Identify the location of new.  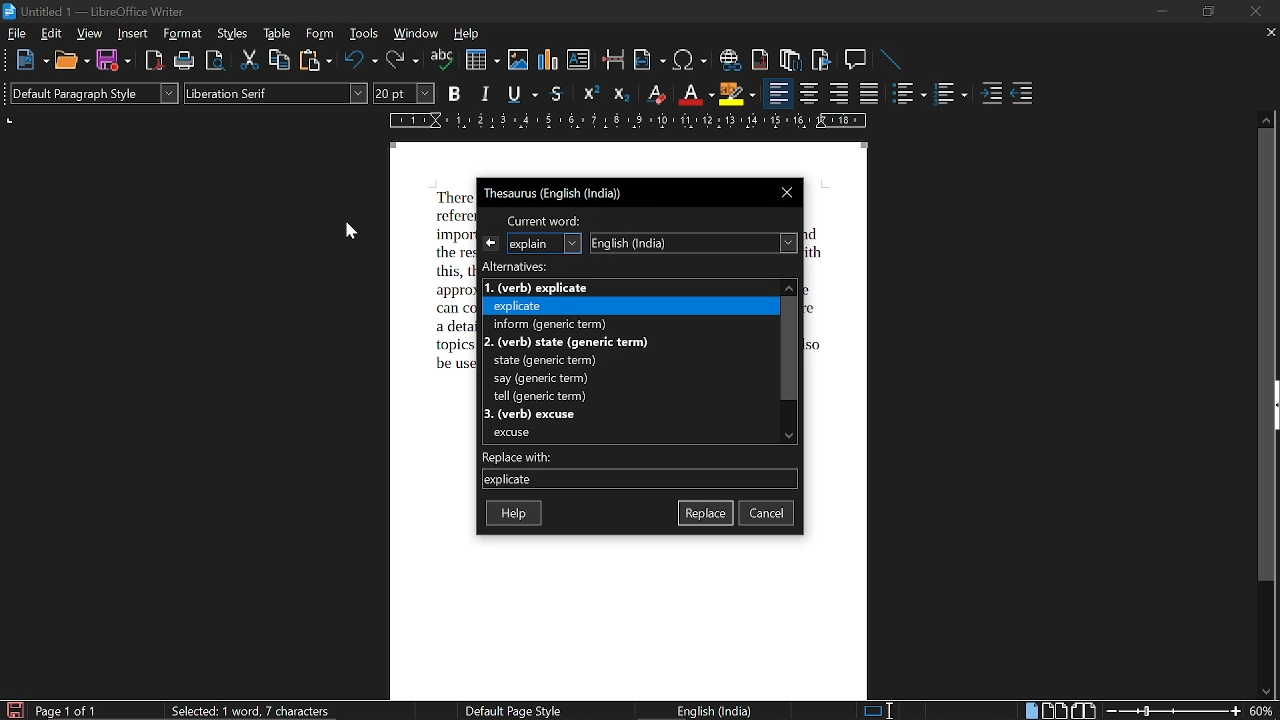
(30, 60).